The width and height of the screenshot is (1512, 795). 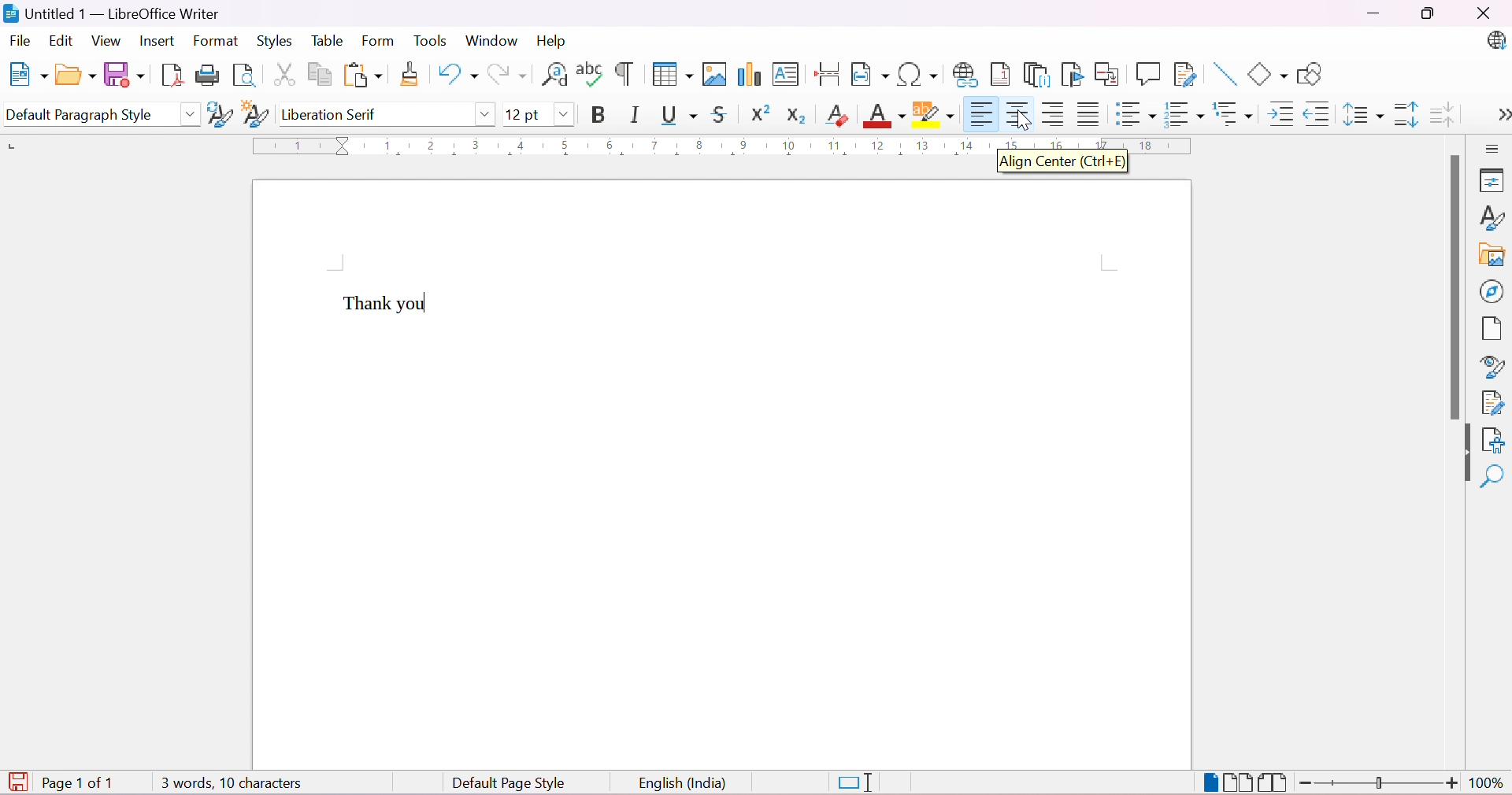 What do you see at coordinates (683, 784) in the screenshot?
I see `English (India)` at bounding box center [683, 784].